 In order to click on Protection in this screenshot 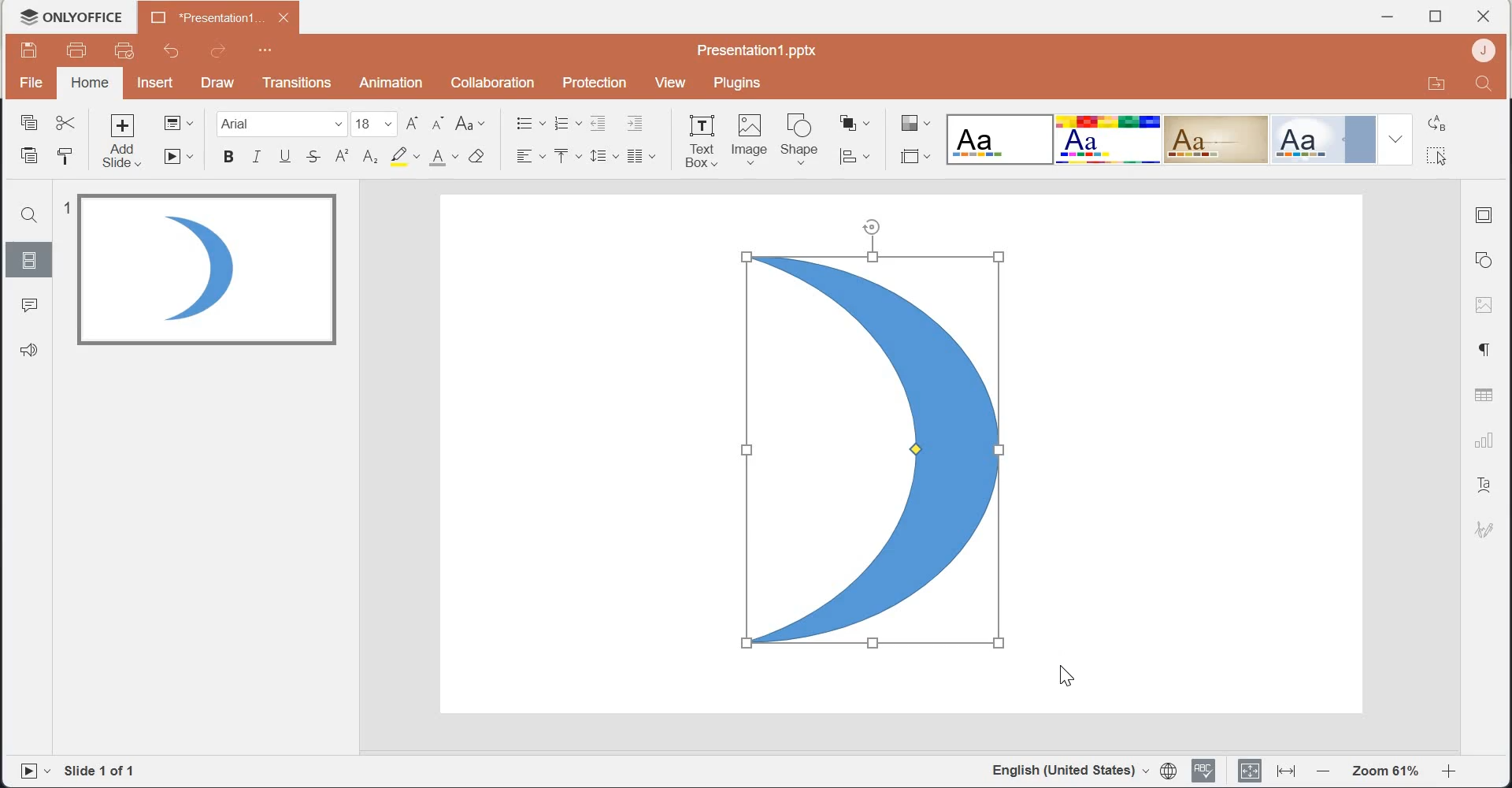, I will do `click(589, 84)`.